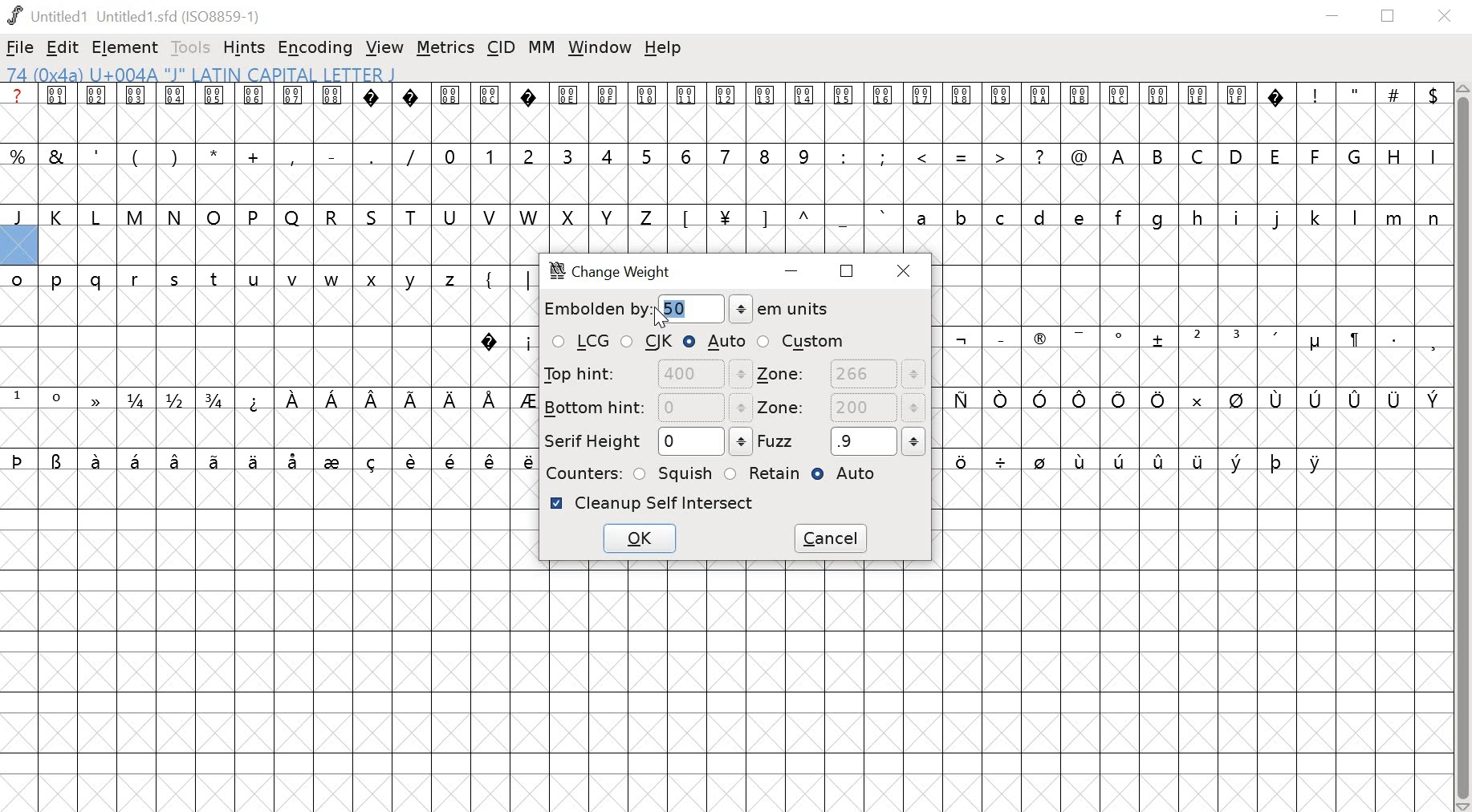 This screenshot has width=1472, height=812. I want to click on symbols, so click(1190, 400).